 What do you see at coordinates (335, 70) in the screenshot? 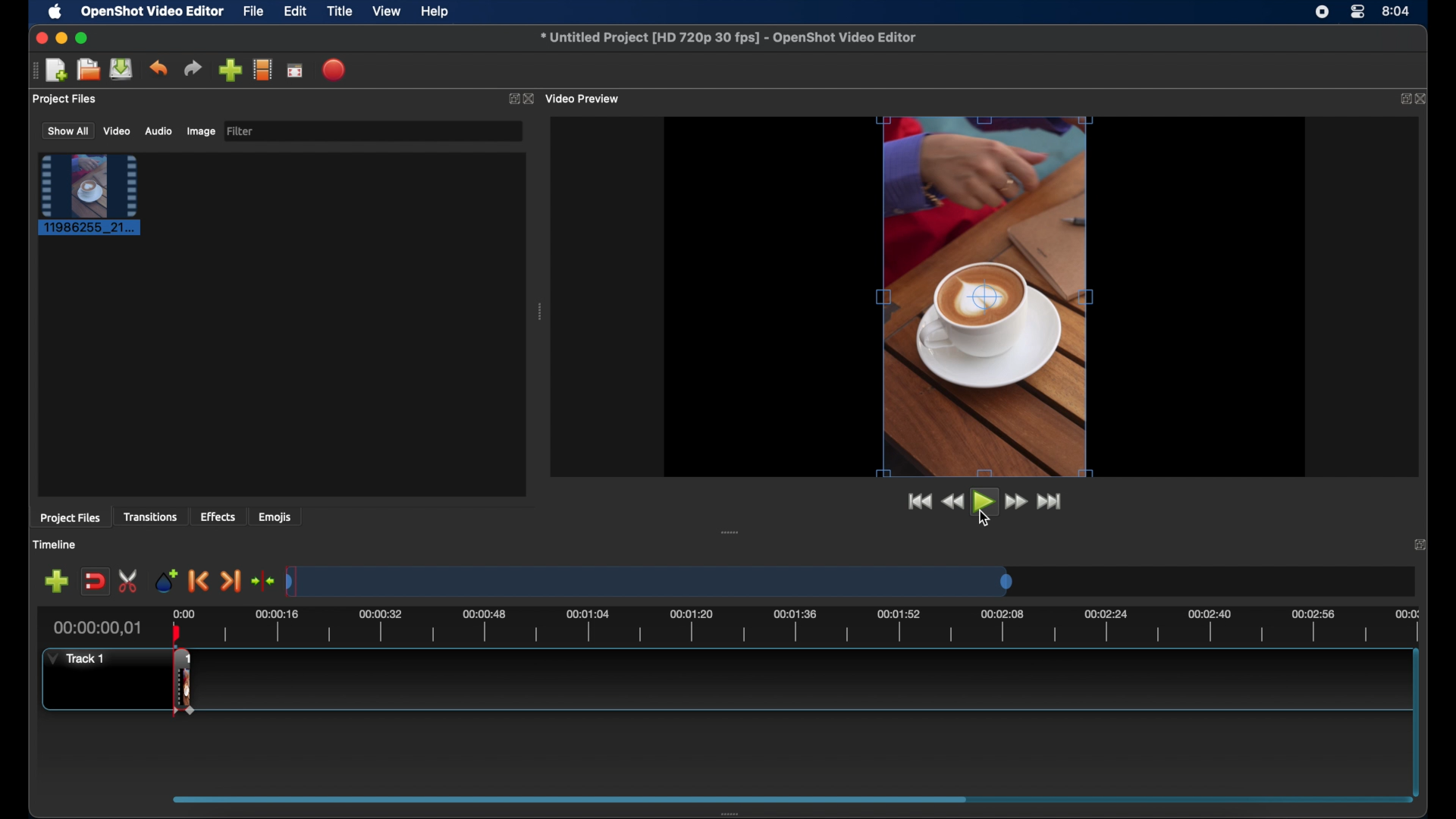
I see `export video` at bounding box center [335, 70].